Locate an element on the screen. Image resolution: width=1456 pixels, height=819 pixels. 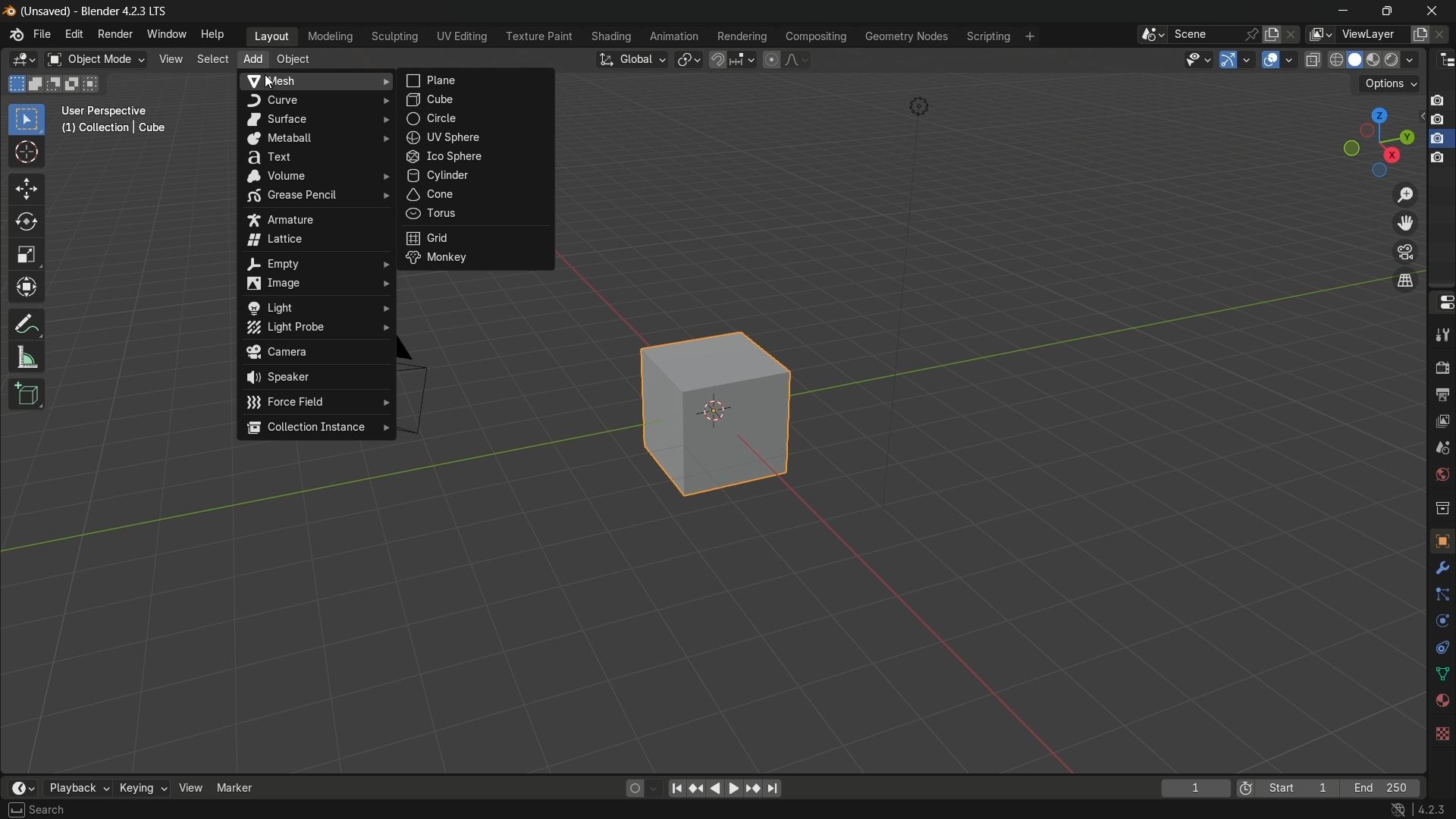
tools is located at coordinates (1442, 332).